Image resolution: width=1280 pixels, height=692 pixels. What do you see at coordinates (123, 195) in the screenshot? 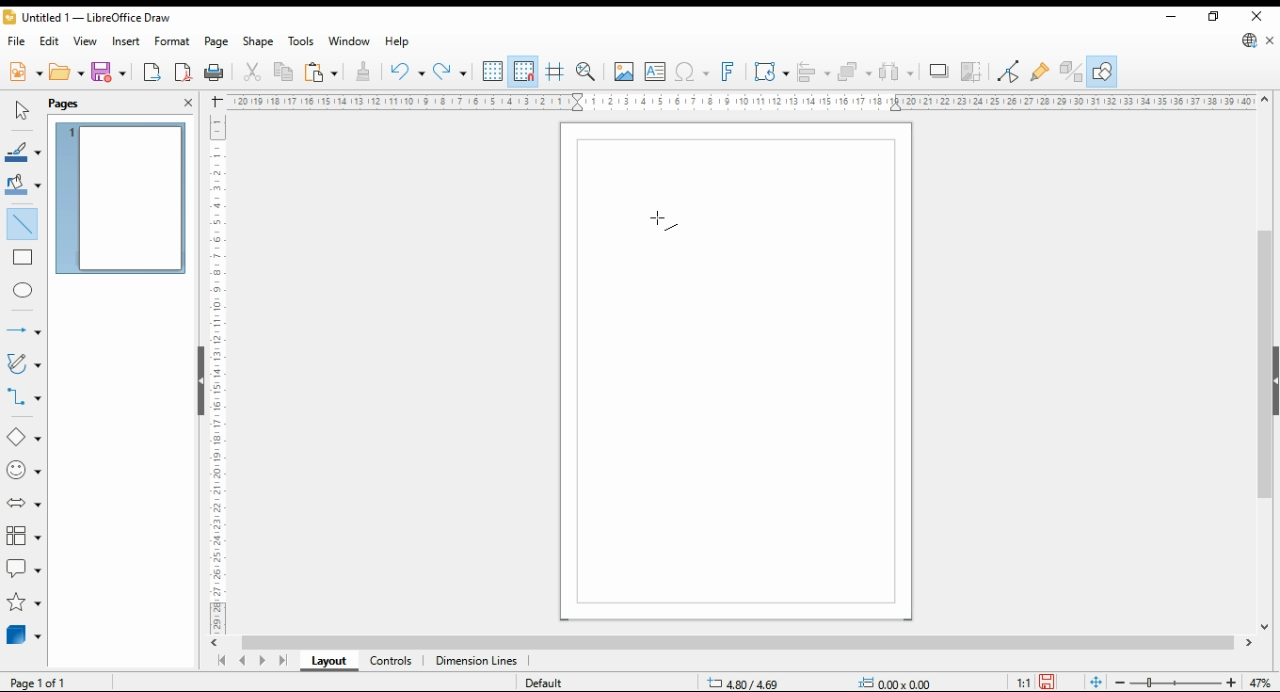
I see `page 1` at bounding box center [123, 195].